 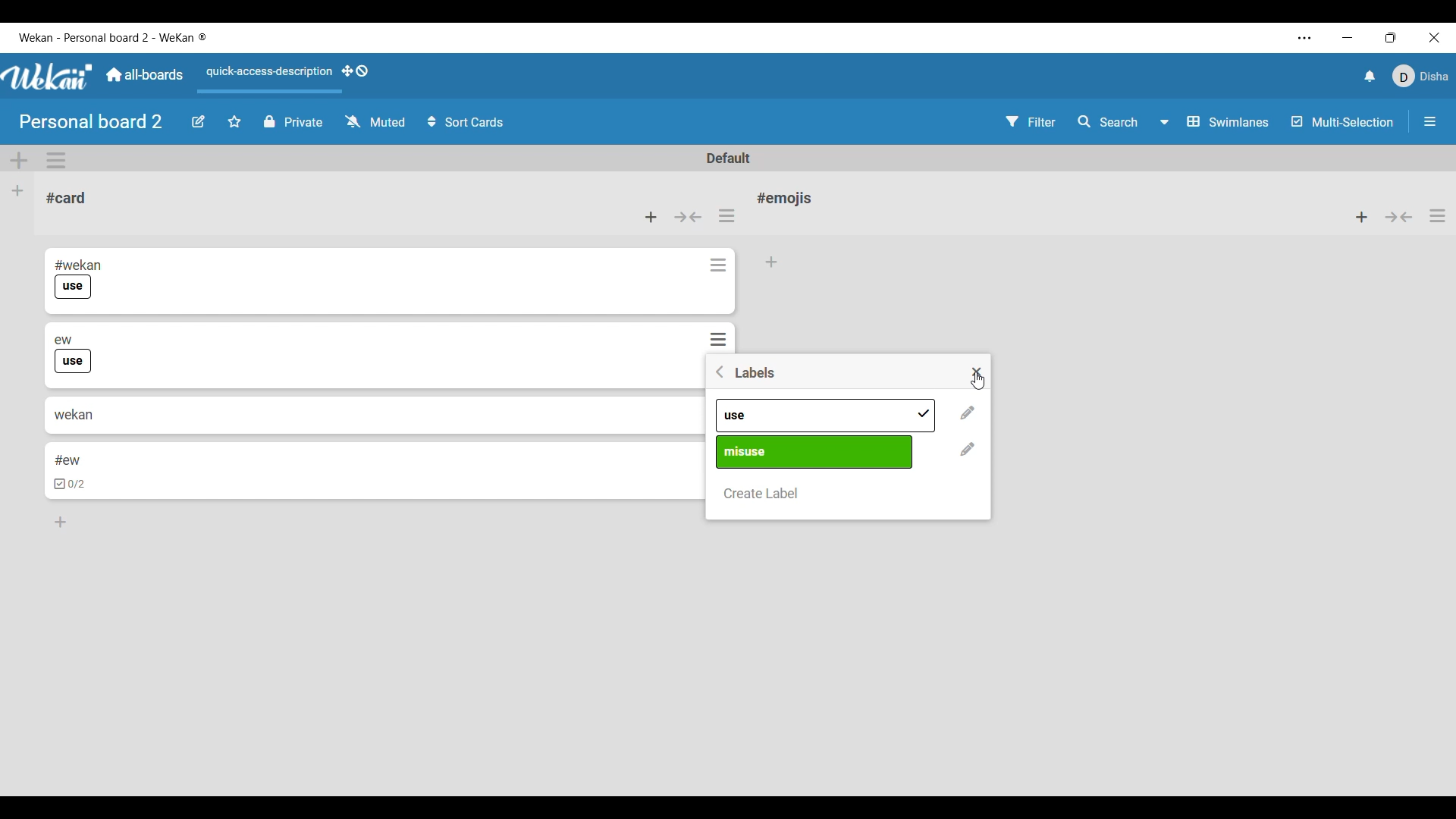 I want to click on Close settings, so click(x=977, y=371).